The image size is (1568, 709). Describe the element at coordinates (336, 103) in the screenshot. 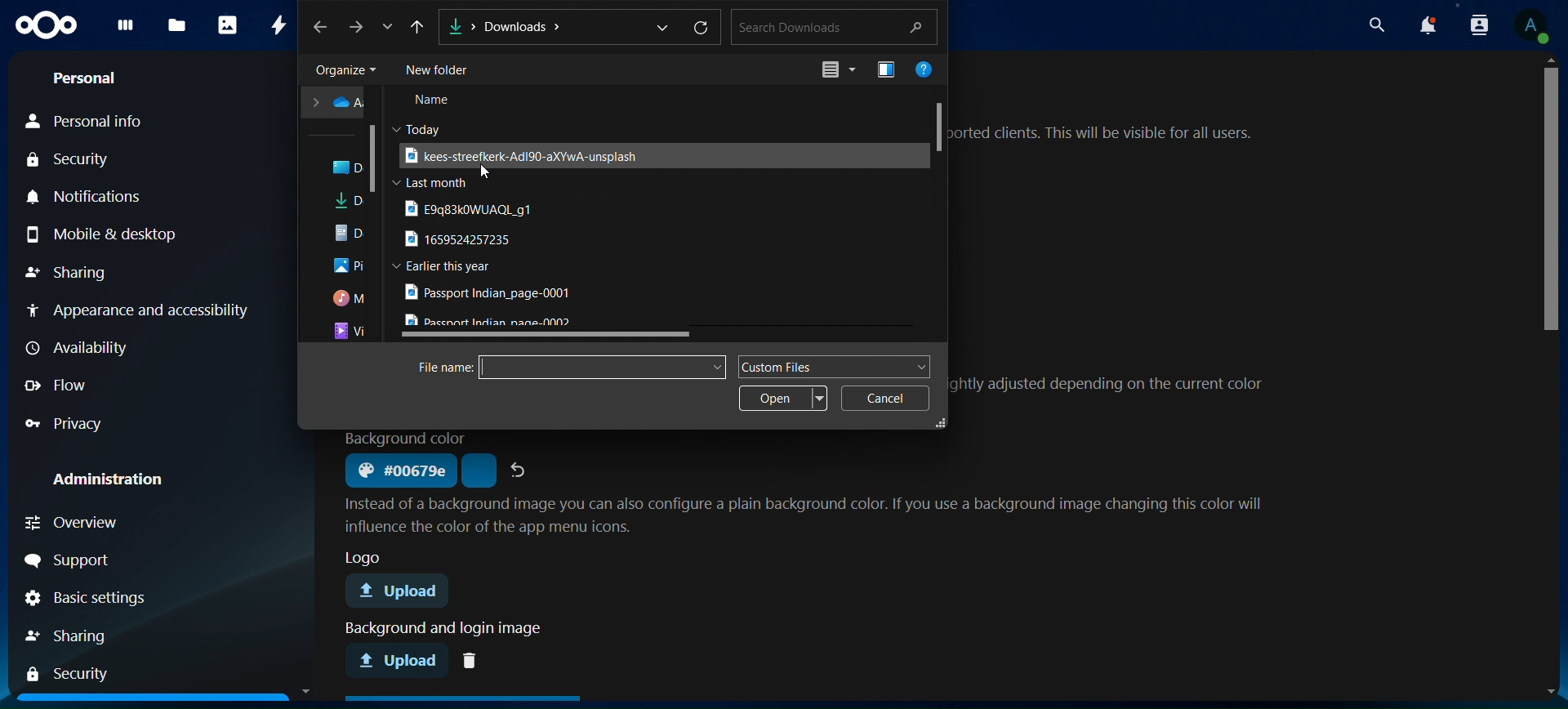

I see `folder` at that location.